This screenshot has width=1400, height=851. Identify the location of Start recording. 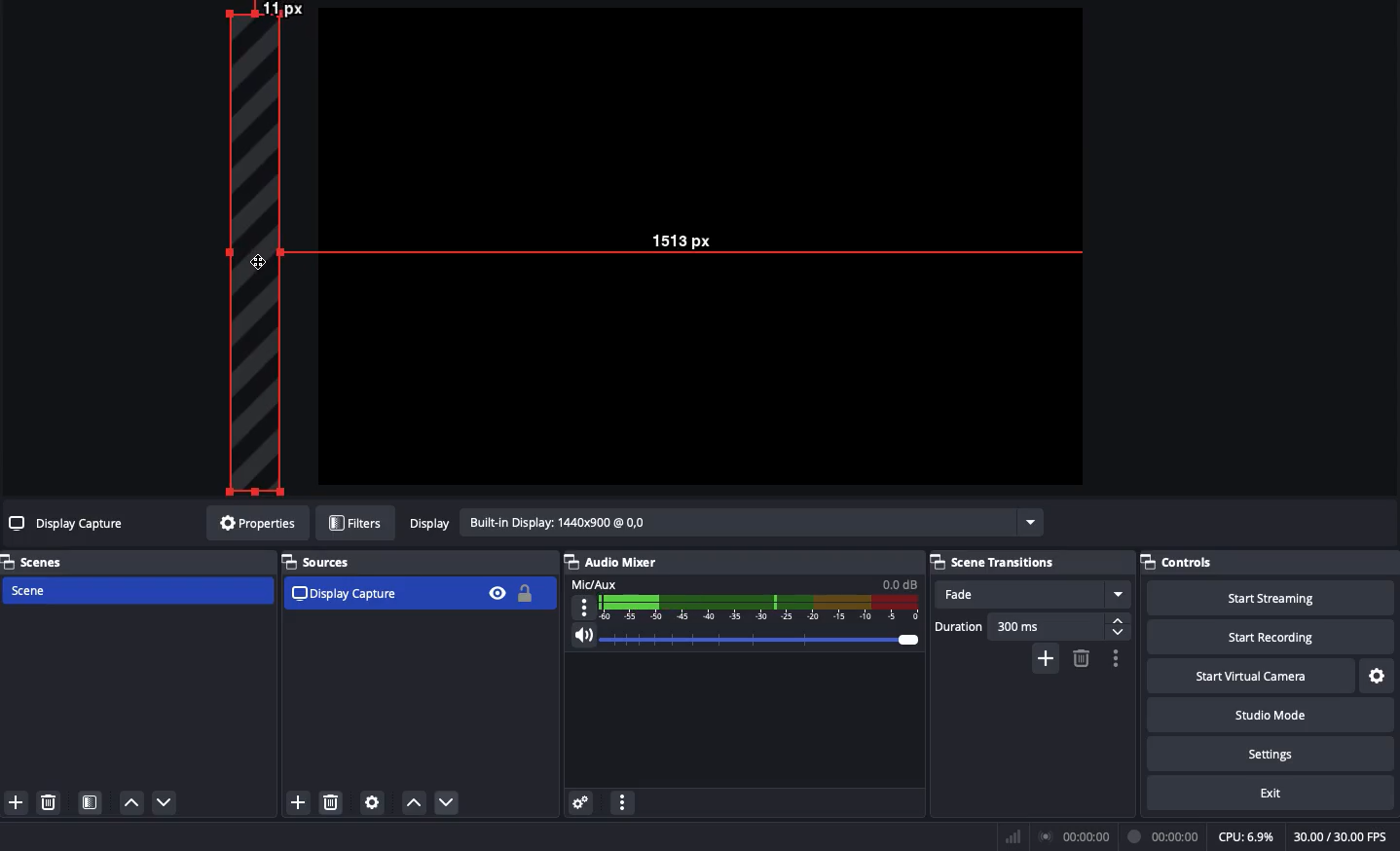
(1273, 636).